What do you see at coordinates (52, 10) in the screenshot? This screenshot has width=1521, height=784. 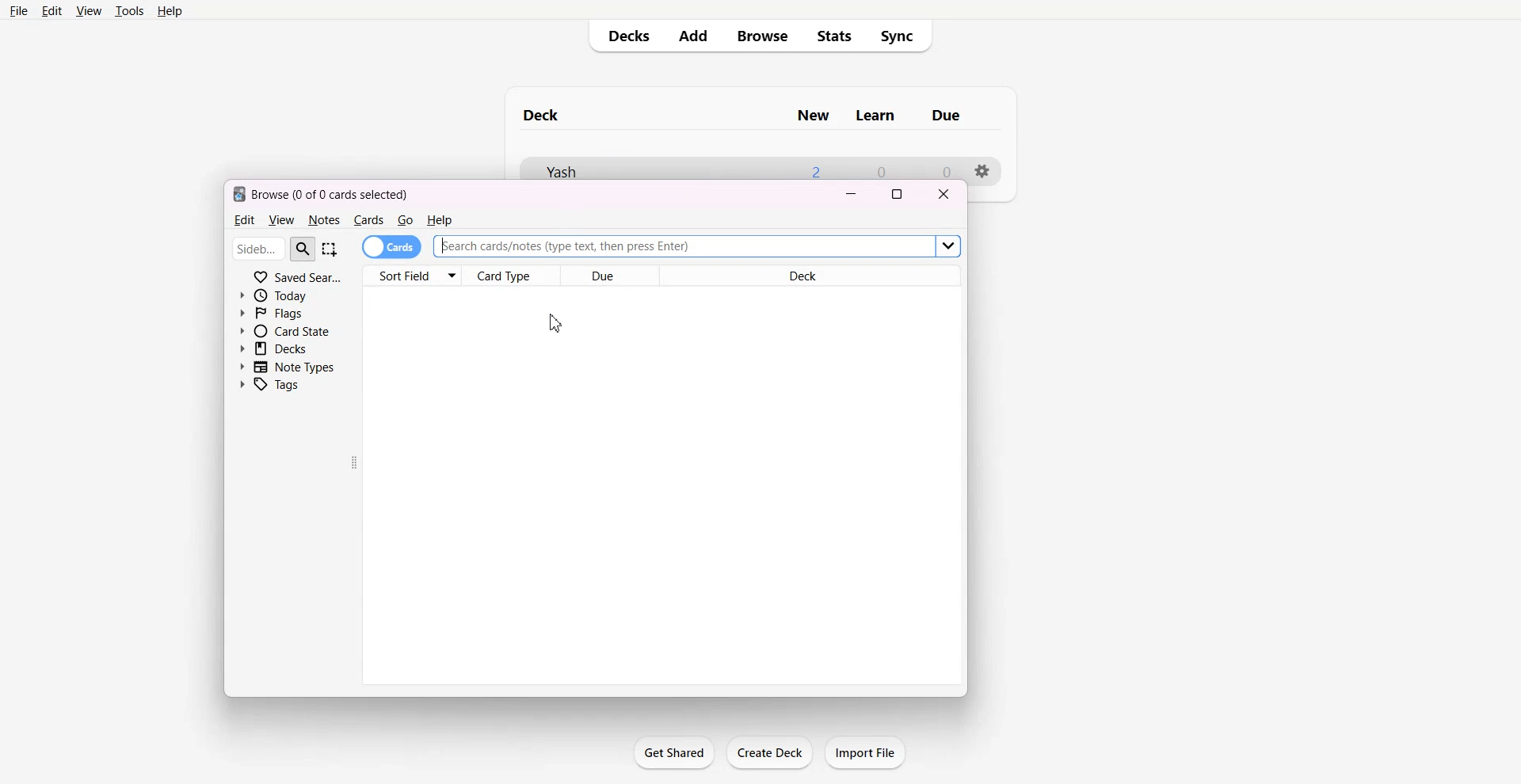 I see `Edit` at bounding box center [52, 10].